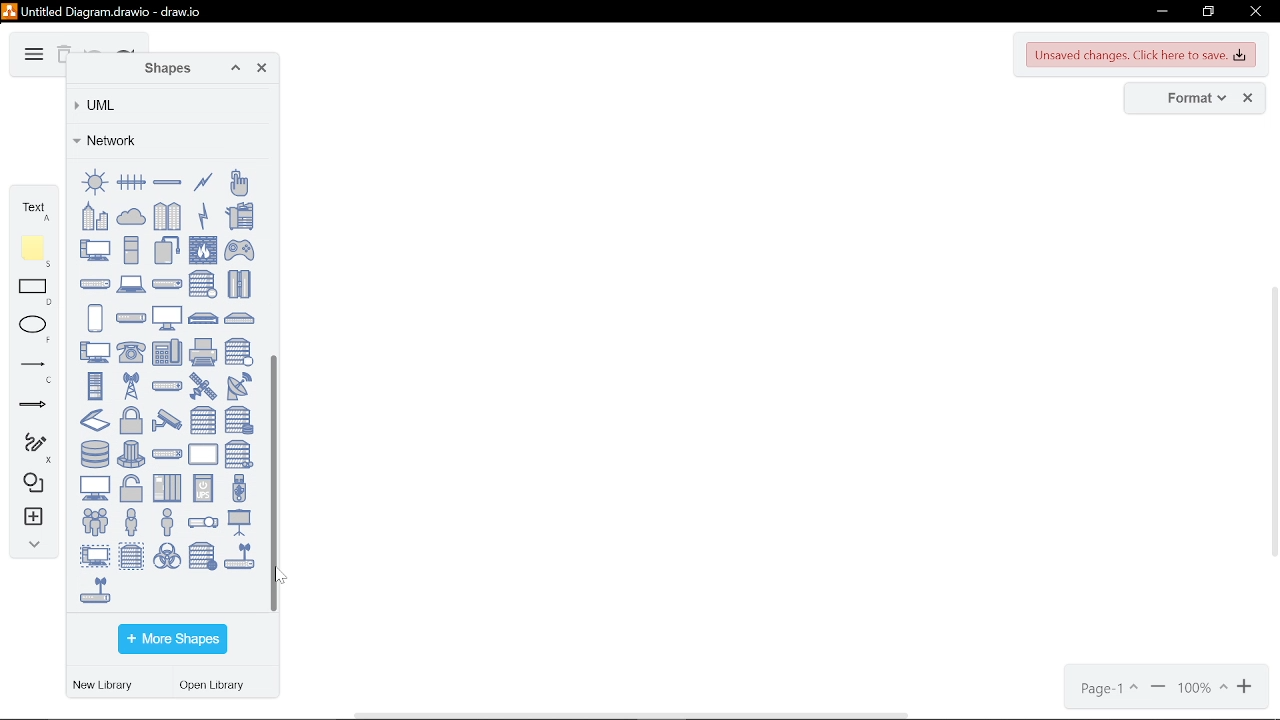  I want to click on mobile, so click(95, 318).